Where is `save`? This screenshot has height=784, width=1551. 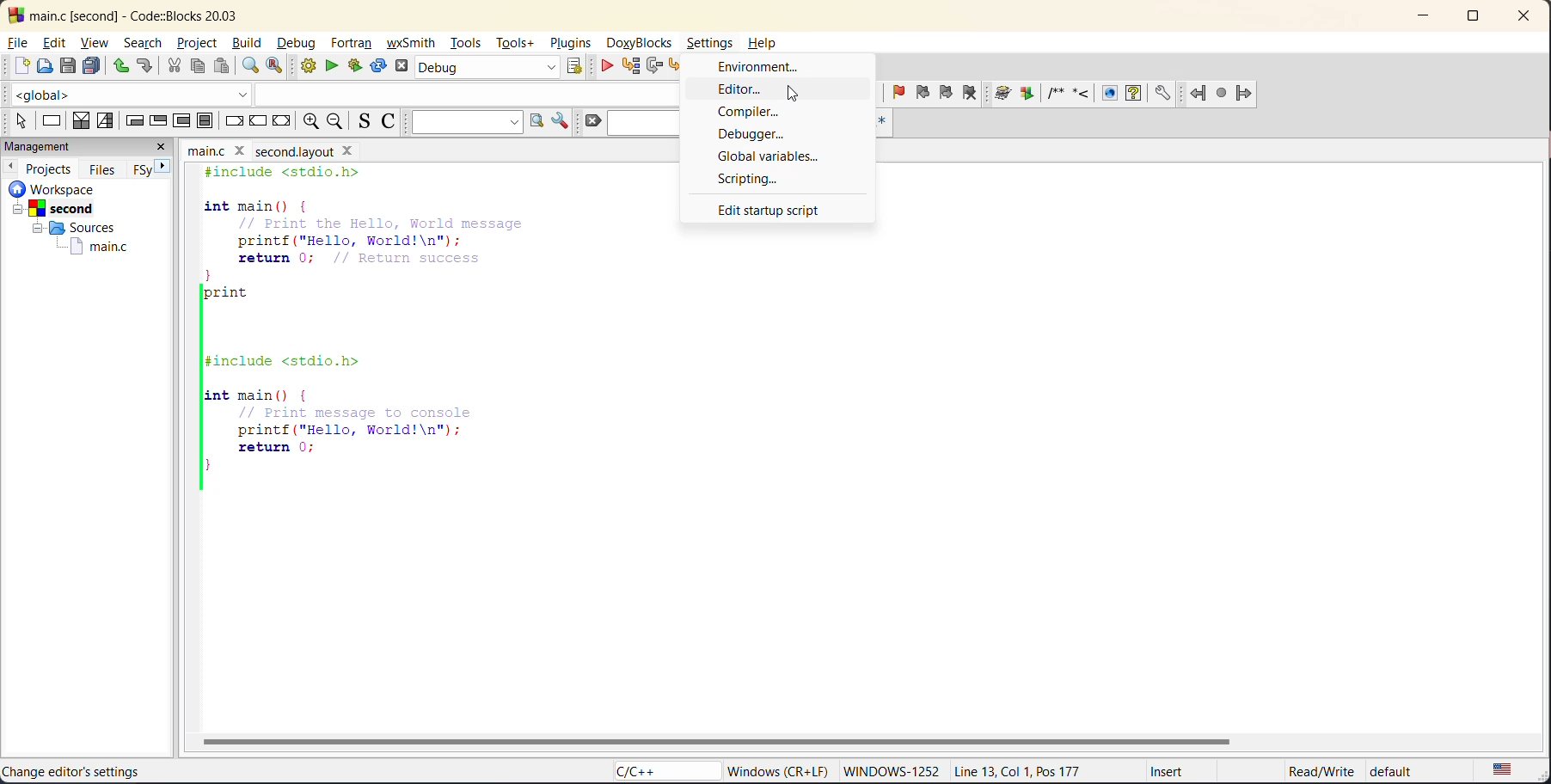 save is located at coordinates (68, 65).